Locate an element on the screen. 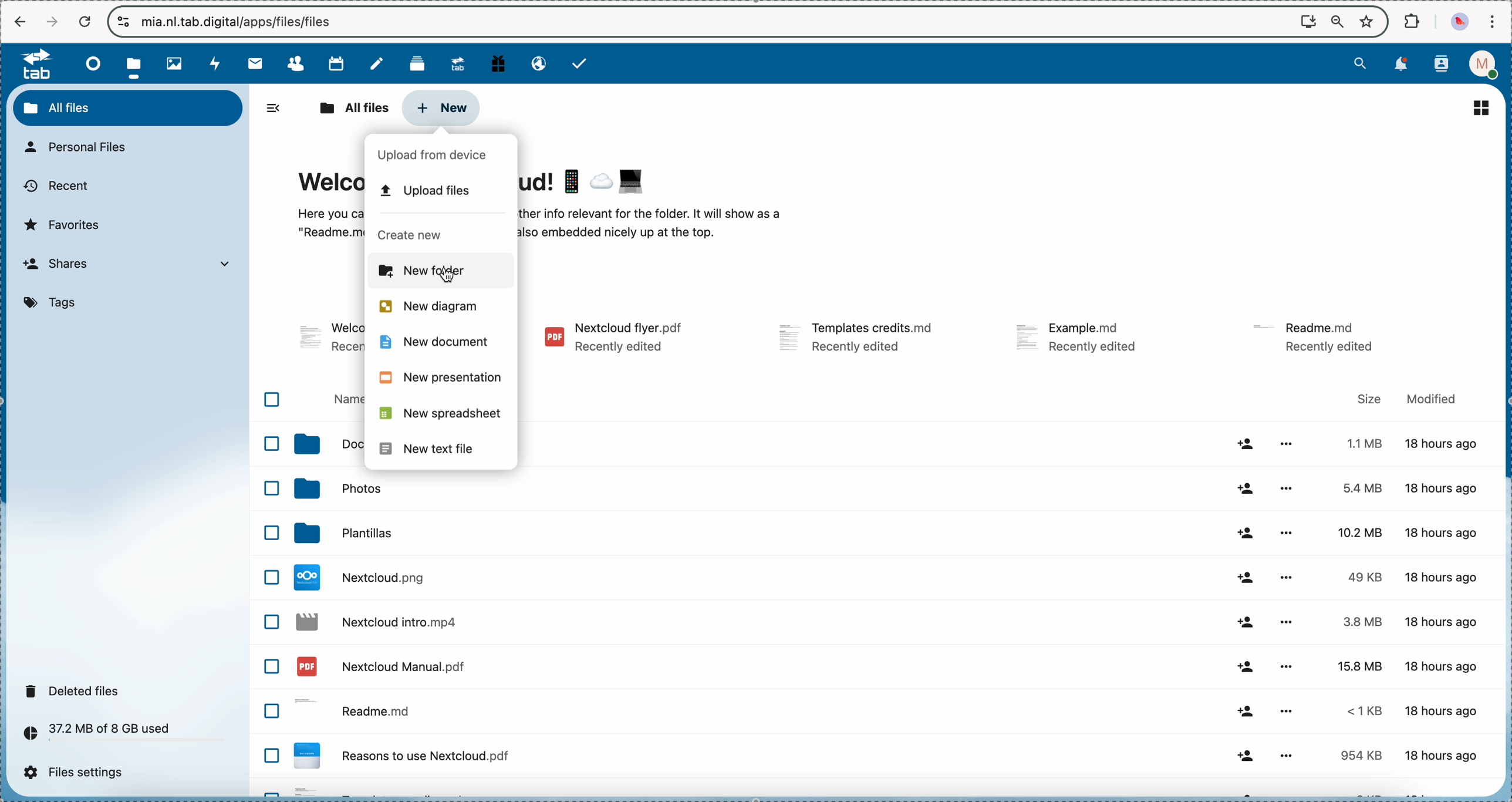  scroll bar is located at coordinates (1503, 312).